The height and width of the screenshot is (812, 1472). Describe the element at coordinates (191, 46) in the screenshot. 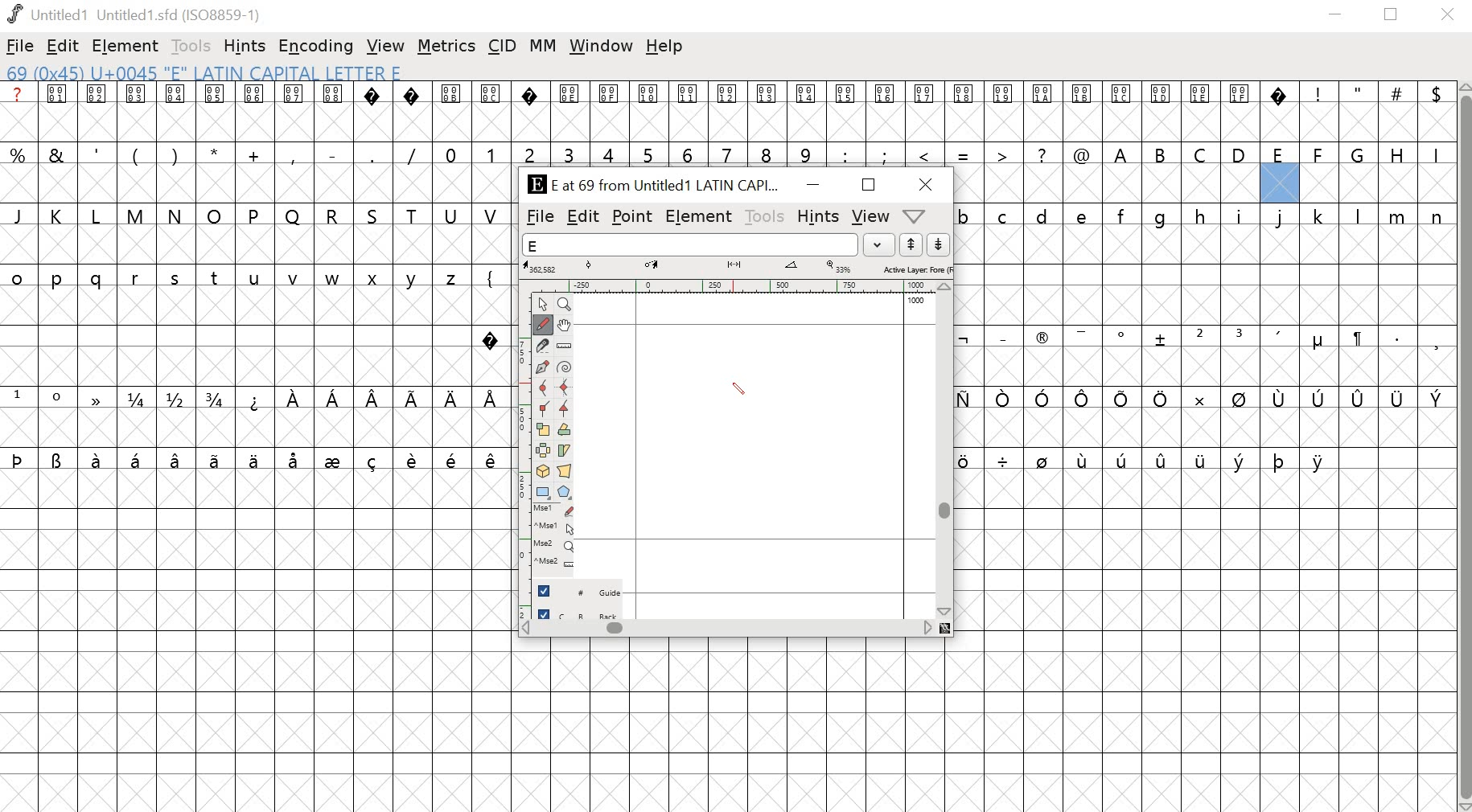

I see `tools` at that location.